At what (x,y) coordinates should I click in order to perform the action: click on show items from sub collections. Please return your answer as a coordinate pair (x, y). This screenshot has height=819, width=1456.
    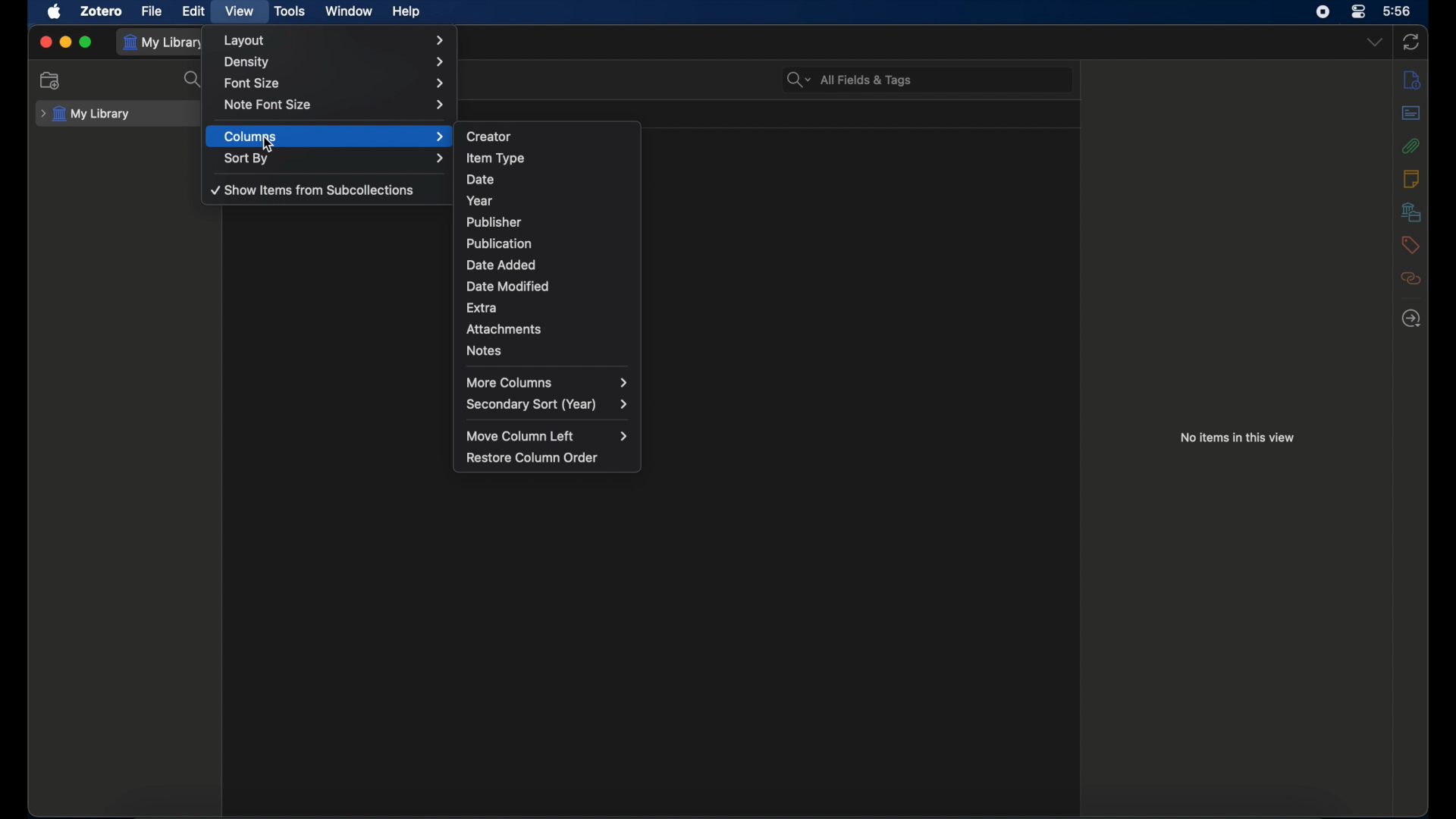
    Looking at the image, I should click on (311, 191).